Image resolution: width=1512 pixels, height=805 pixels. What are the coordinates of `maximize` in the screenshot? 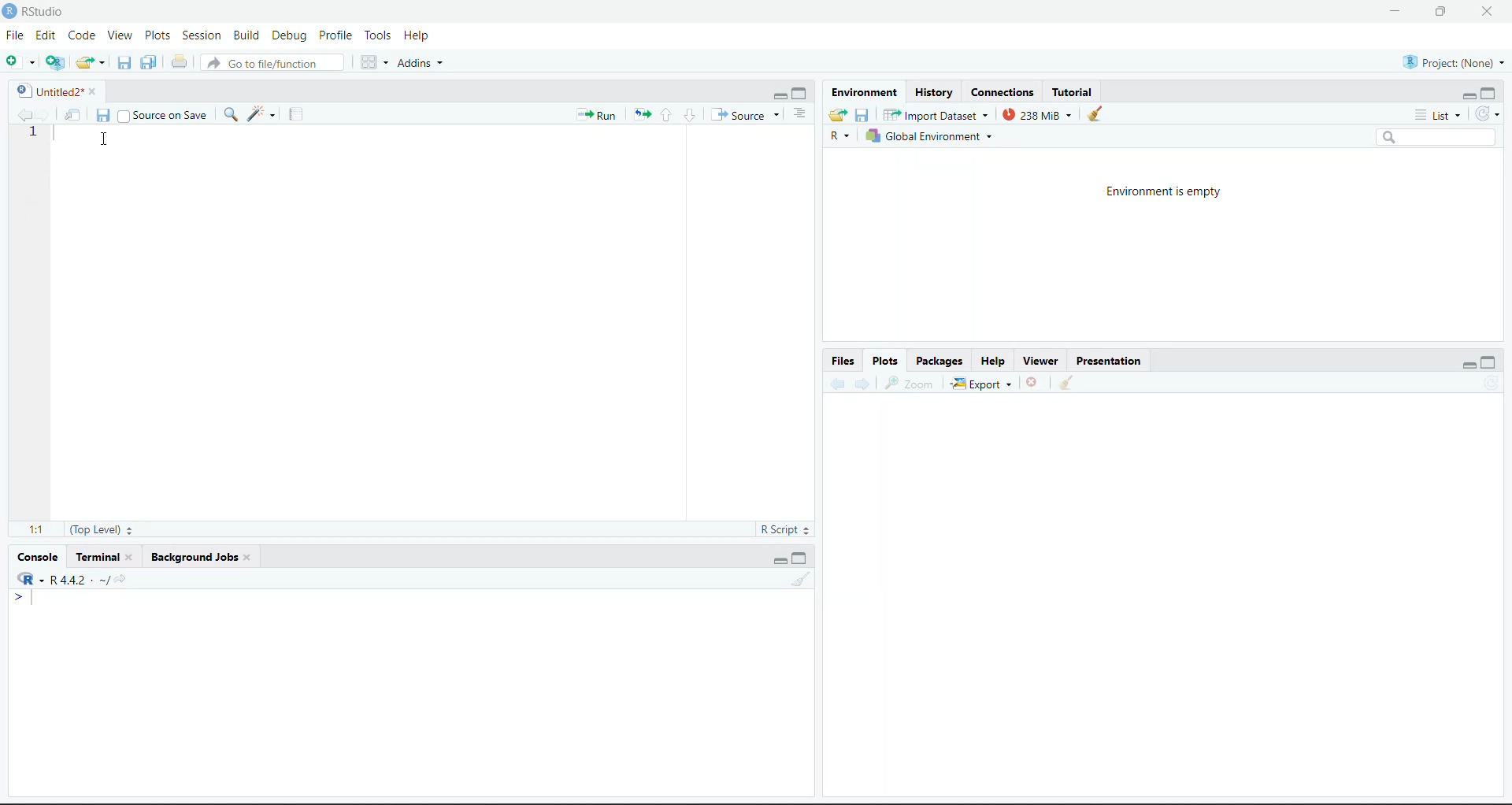 It's located at (1488, 93).